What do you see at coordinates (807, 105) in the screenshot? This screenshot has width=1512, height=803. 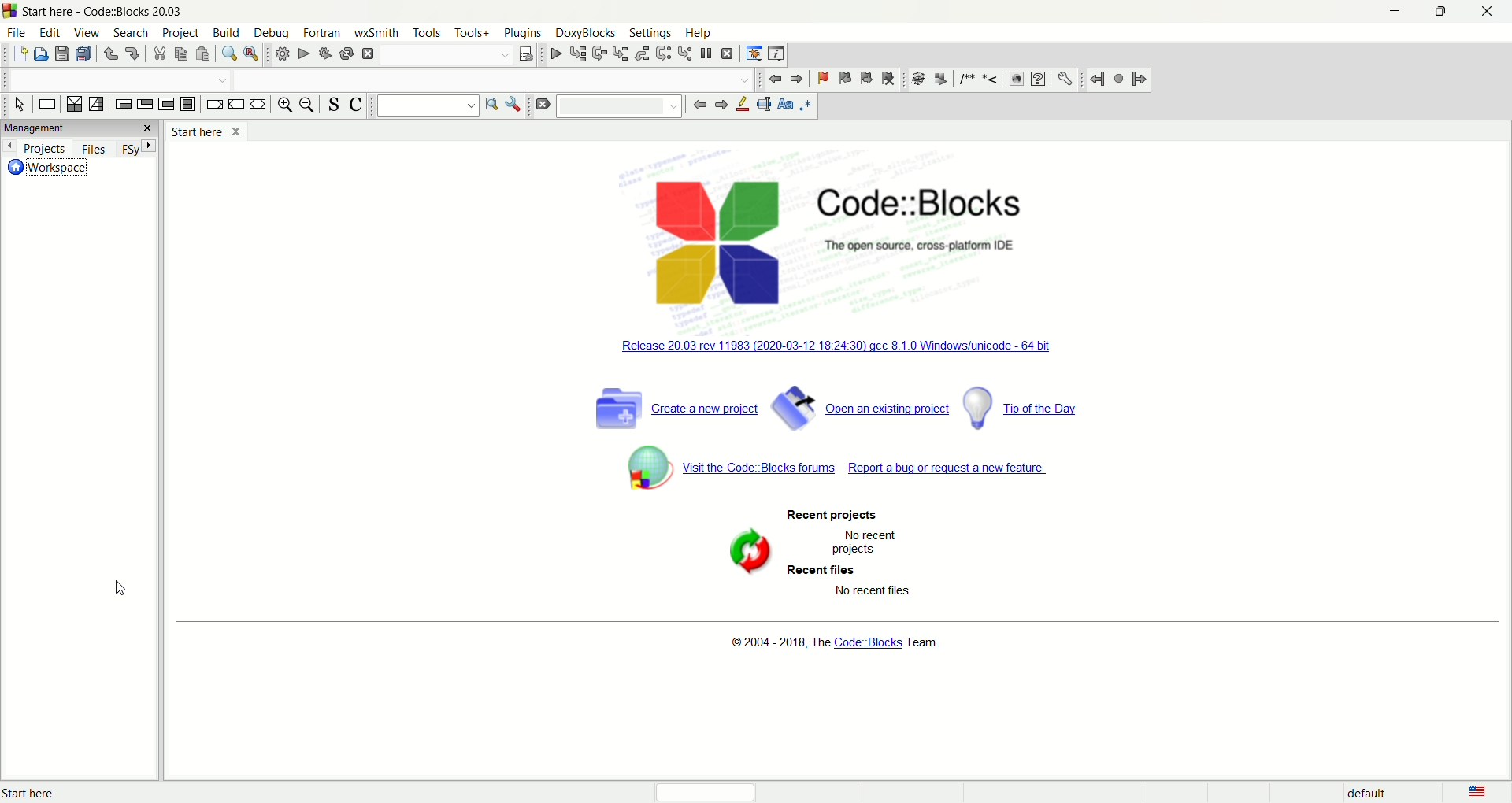 I see `regex` at bounding box center [807, 105].